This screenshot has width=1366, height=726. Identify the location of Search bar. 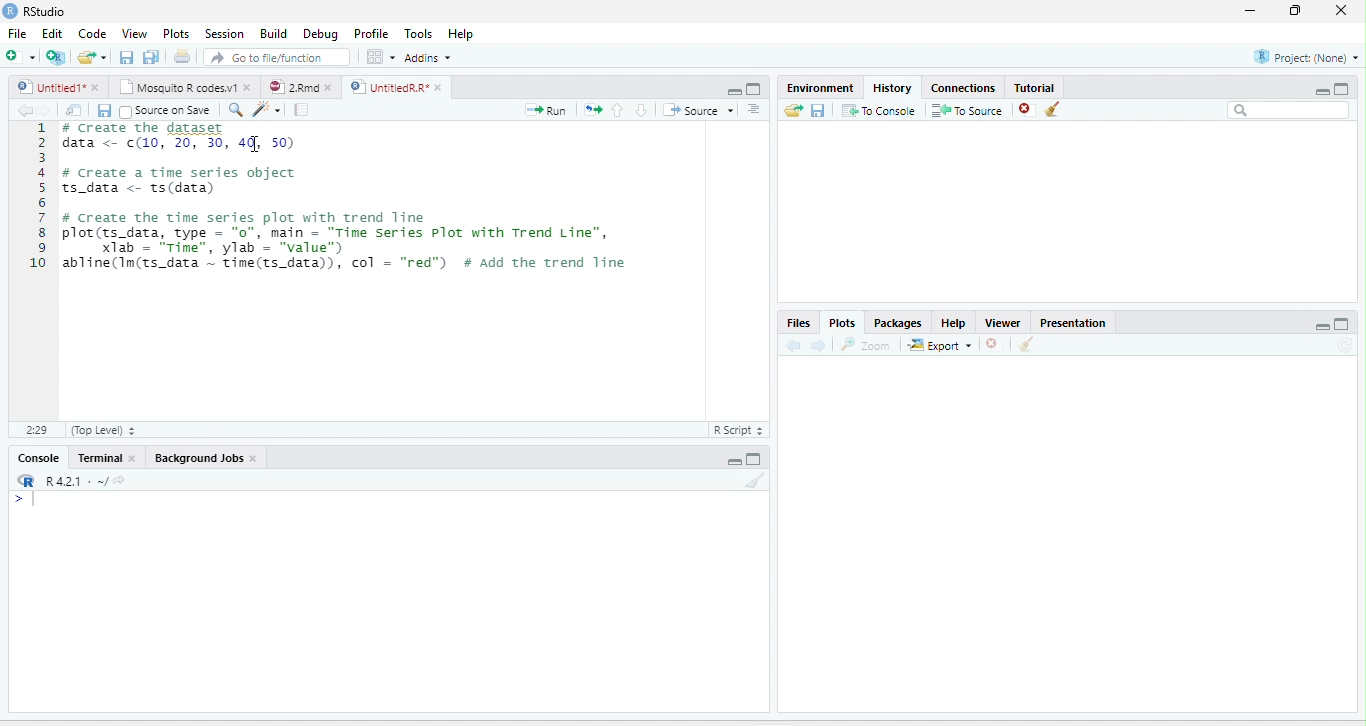
(1288, 110).